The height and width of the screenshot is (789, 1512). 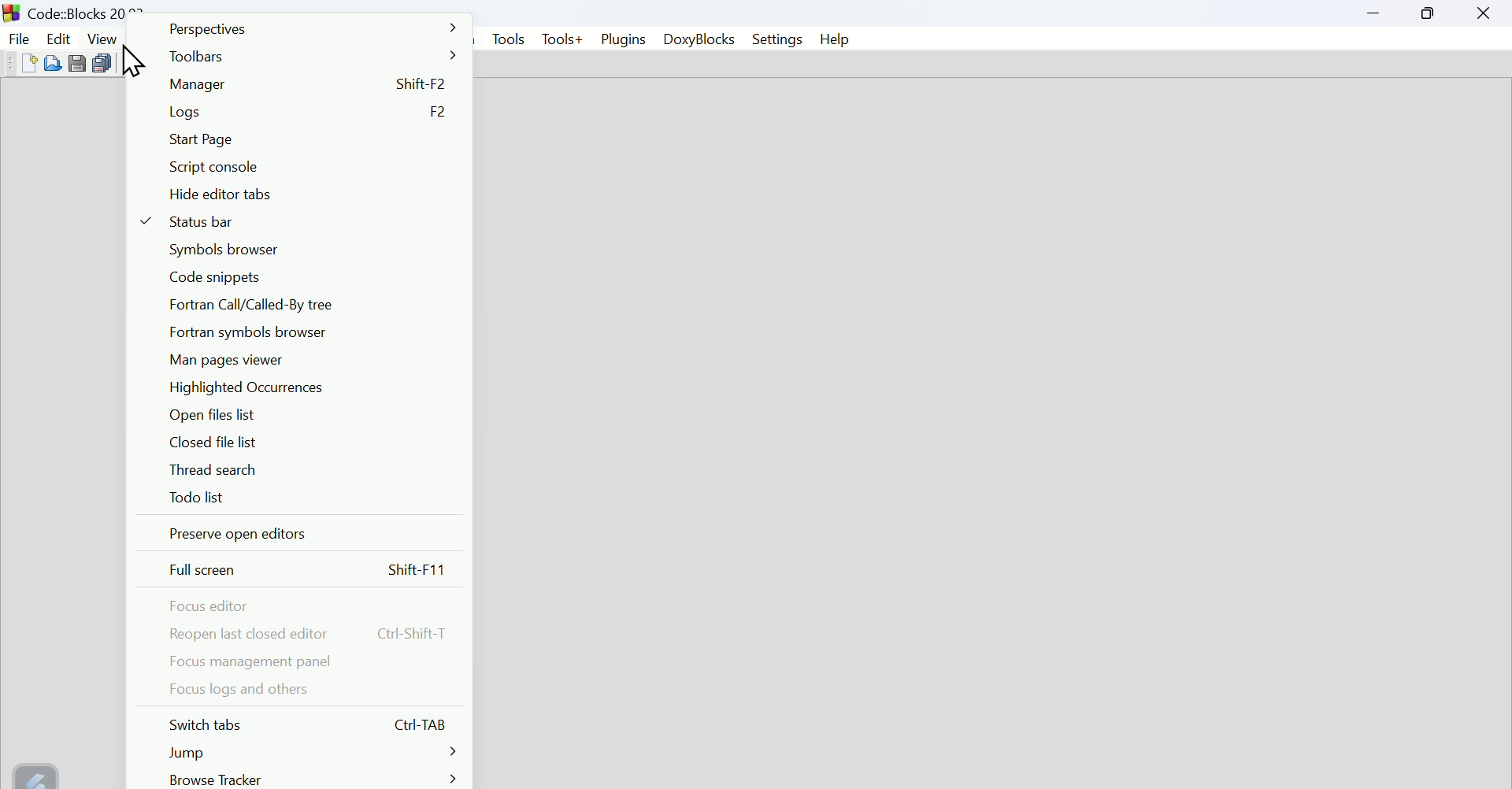 What do you see at coordinates (224, 361) in the screenshot?
I see `Man pages viewer` at bounding box center [224, 361].